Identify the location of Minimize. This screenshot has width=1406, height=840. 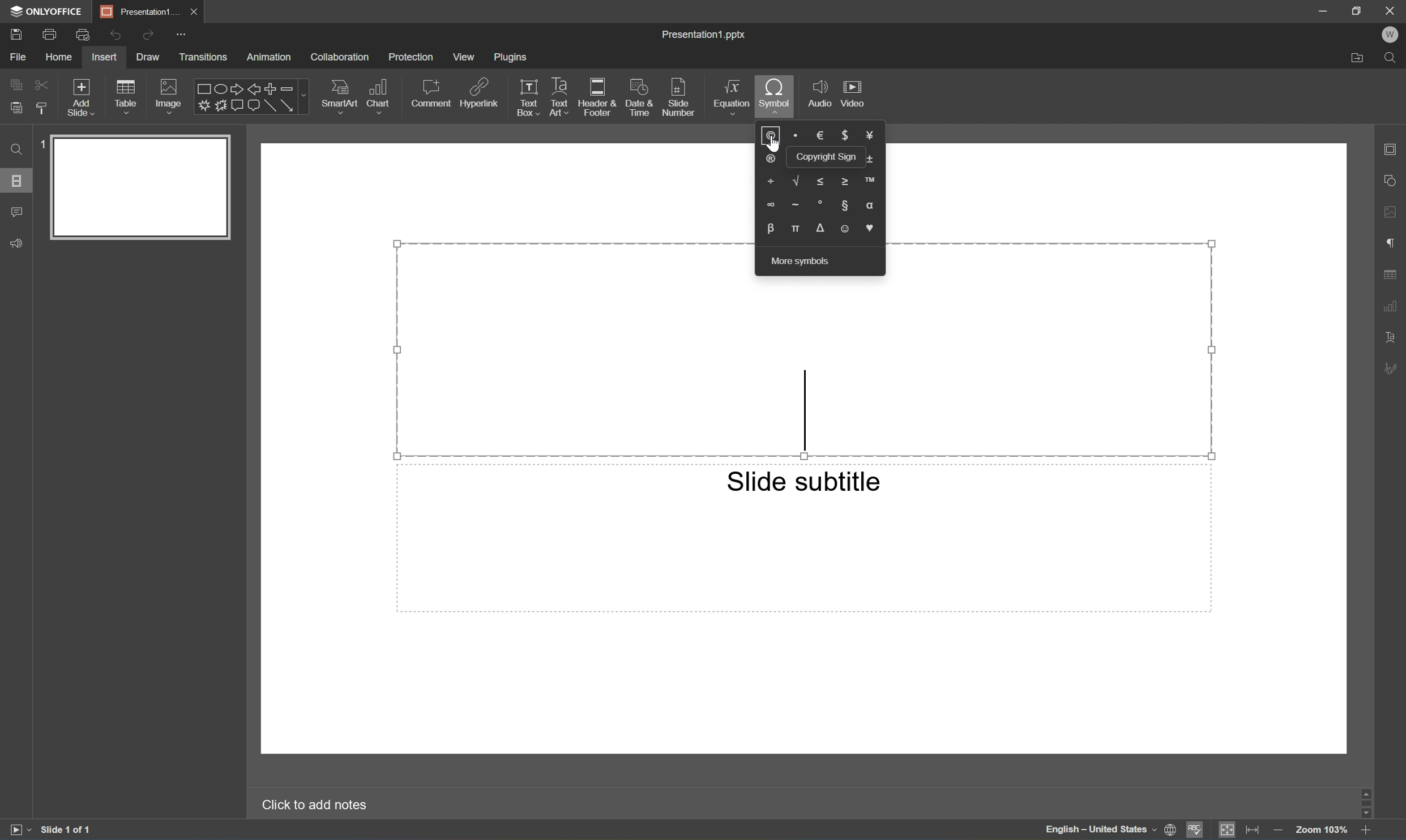
(1322, 9).